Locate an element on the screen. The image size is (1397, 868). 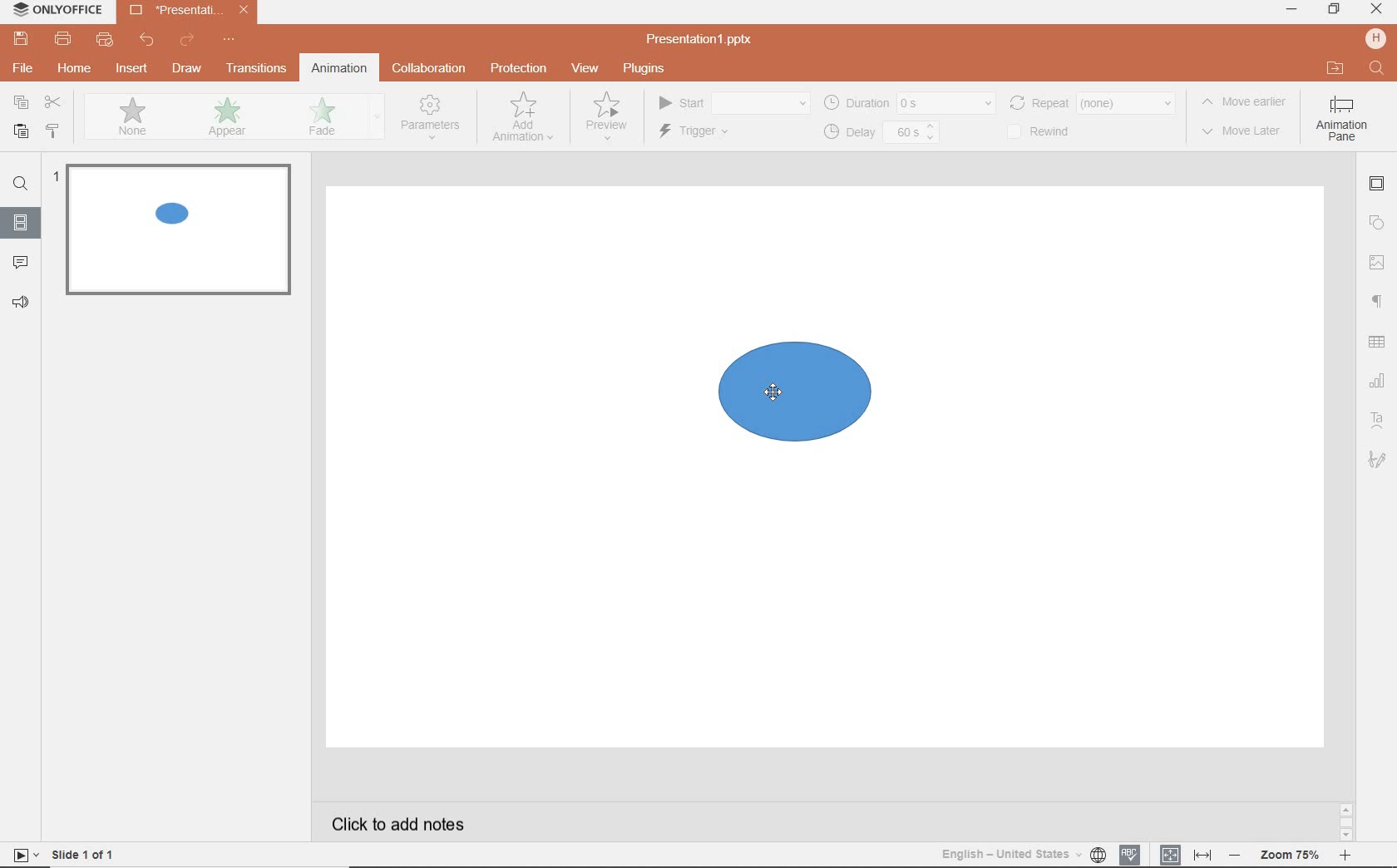
move earlier is located at coordinates (1248, 104).